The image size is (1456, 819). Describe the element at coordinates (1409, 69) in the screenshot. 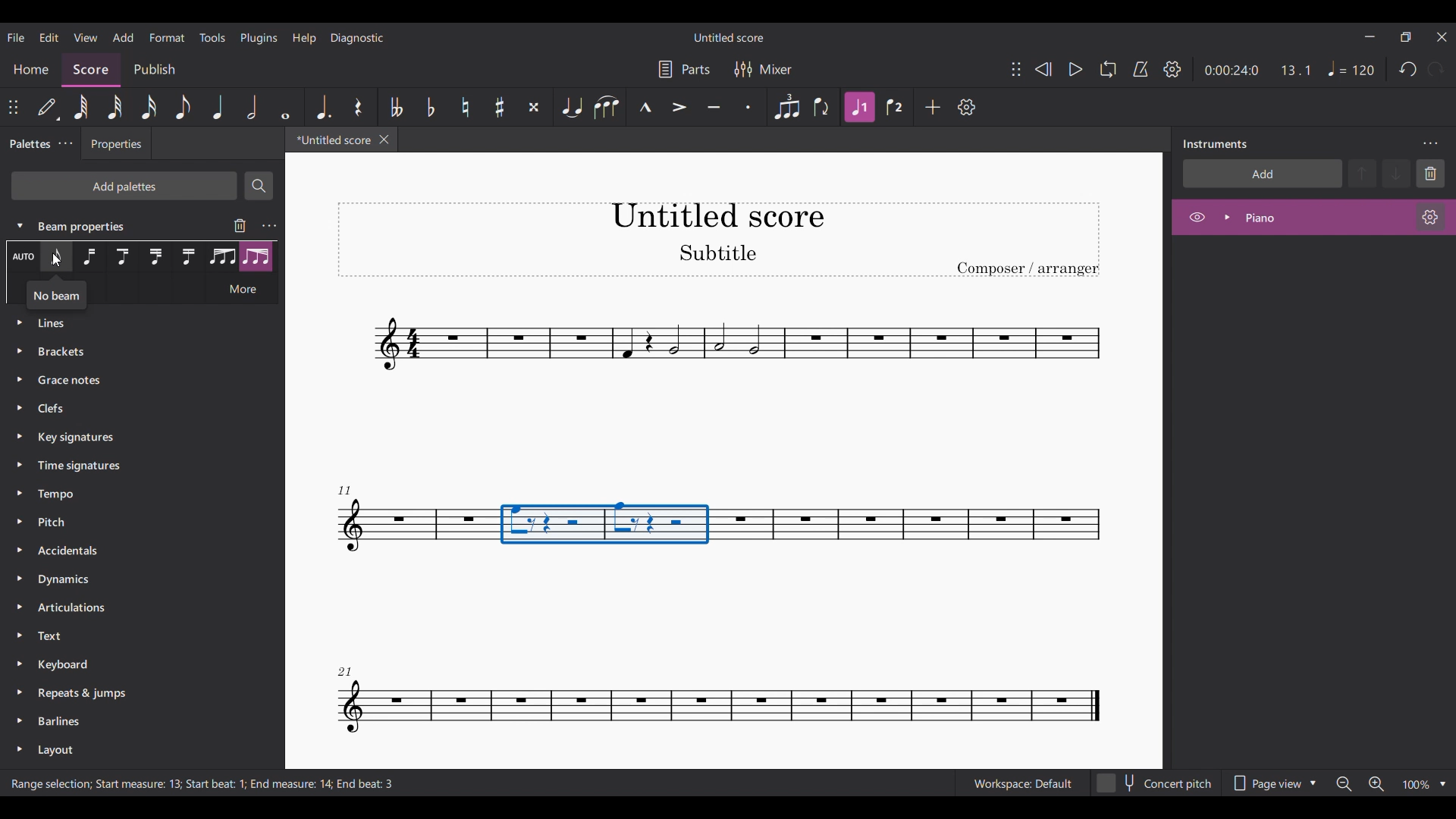

I see `Undo` at that location.